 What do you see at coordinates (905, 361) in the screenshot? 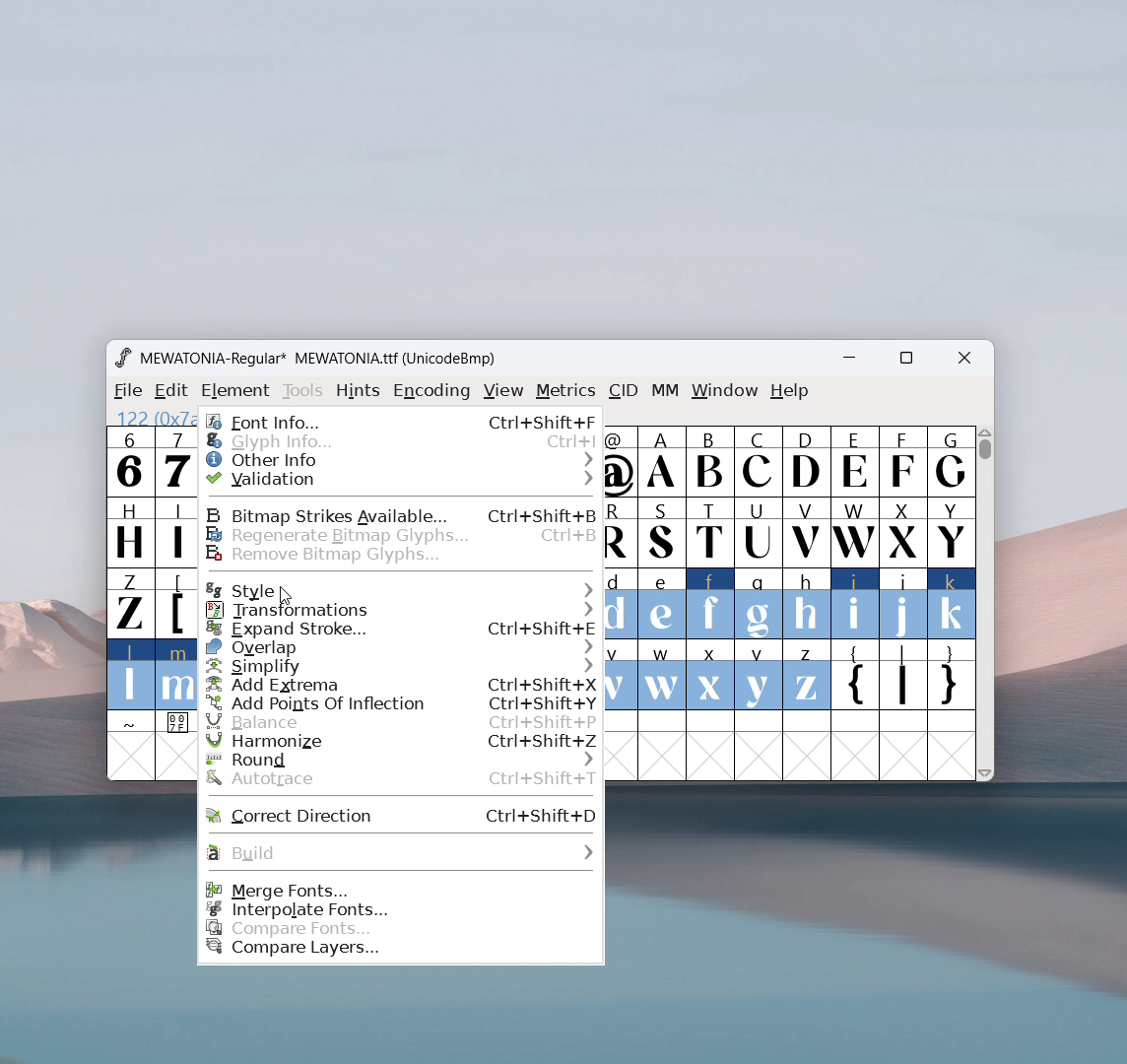
I see `maximize` at bounding box center [905, 361].